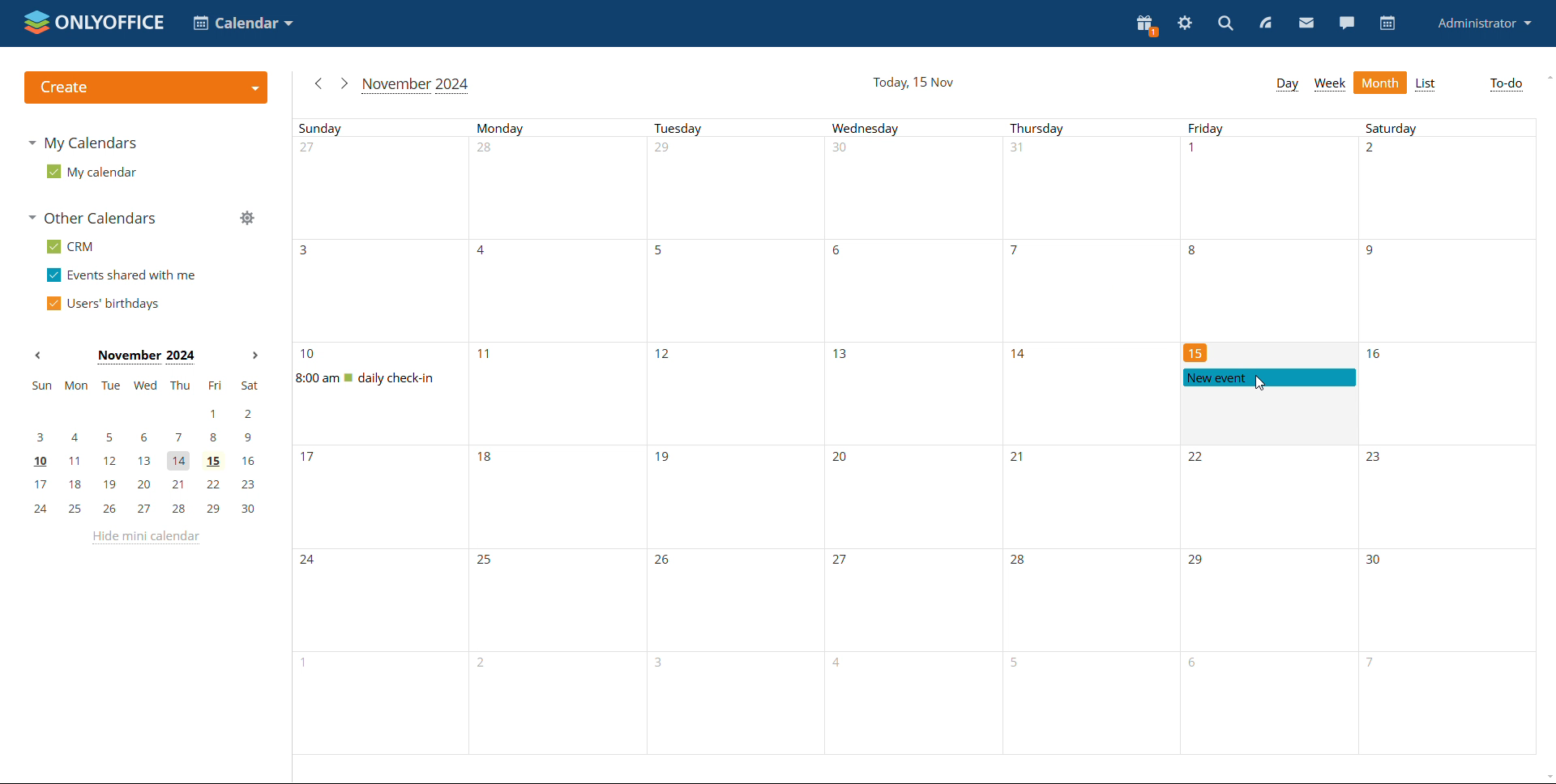  I want to click on Number, so click(489, 462).